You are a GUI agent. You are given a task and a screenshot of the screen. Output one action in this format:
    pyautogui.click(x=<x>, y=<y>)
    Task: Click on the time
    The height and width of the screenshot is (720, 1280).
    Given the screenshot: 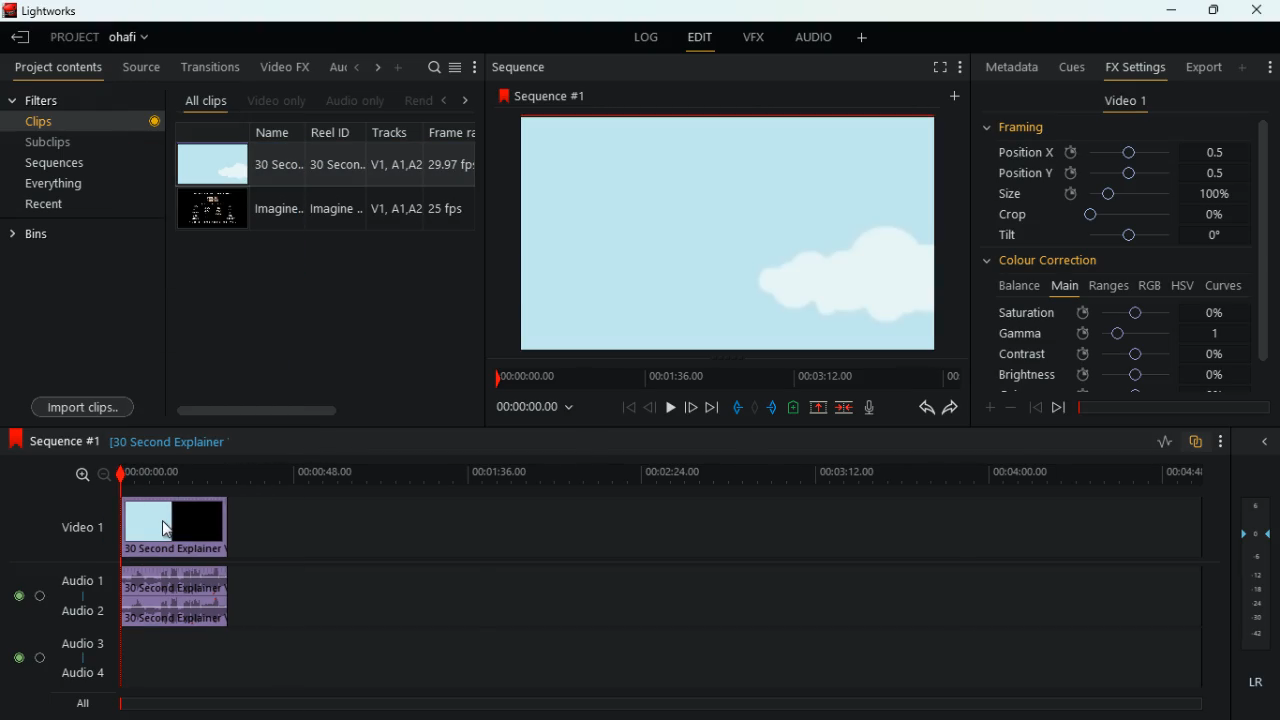 What is the action you would take?
    pyautogui.click(x=659, y=475)
    